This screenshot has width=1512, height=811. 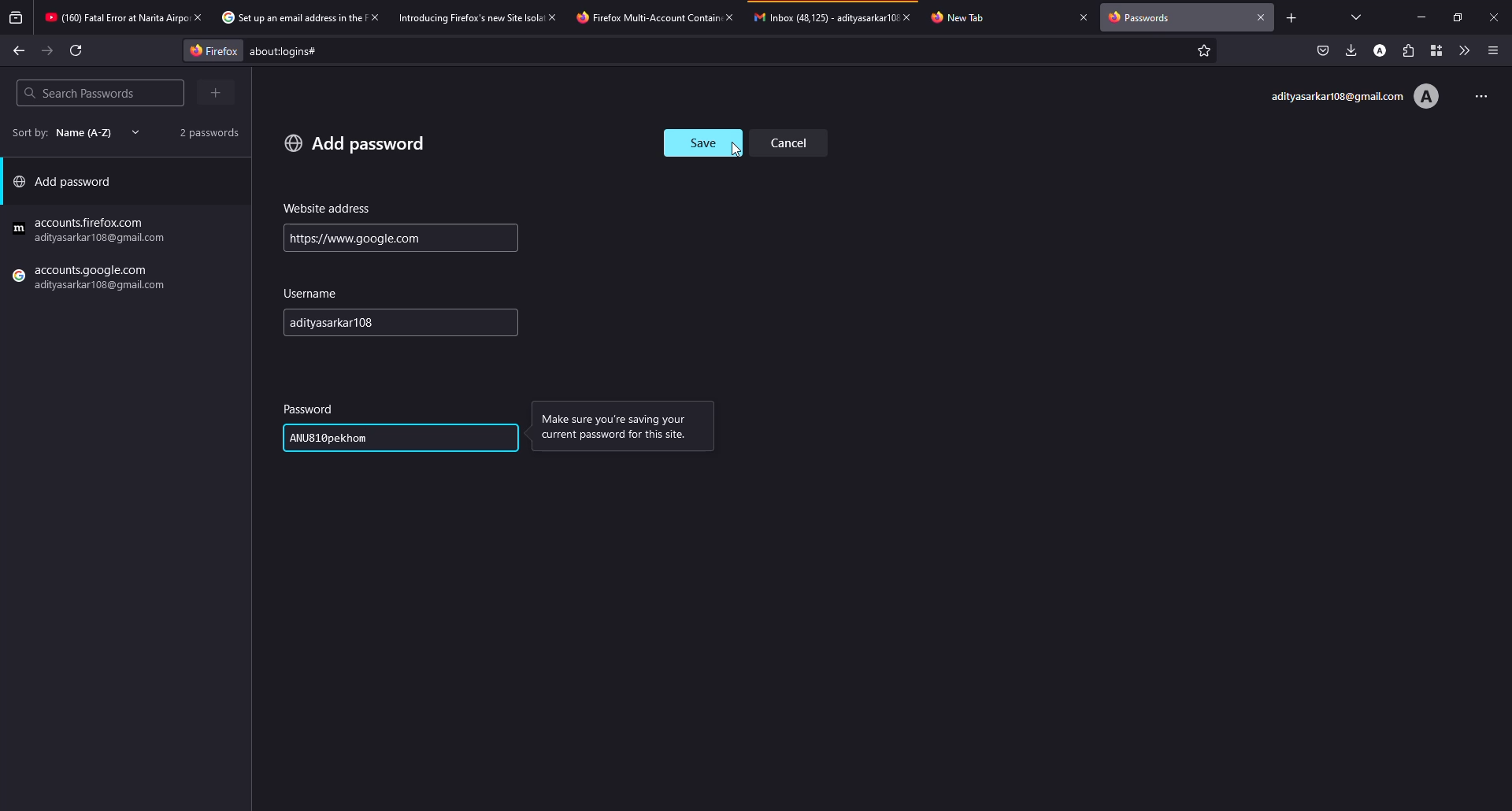 I want to click on firefox, so click(x=209, y=50).